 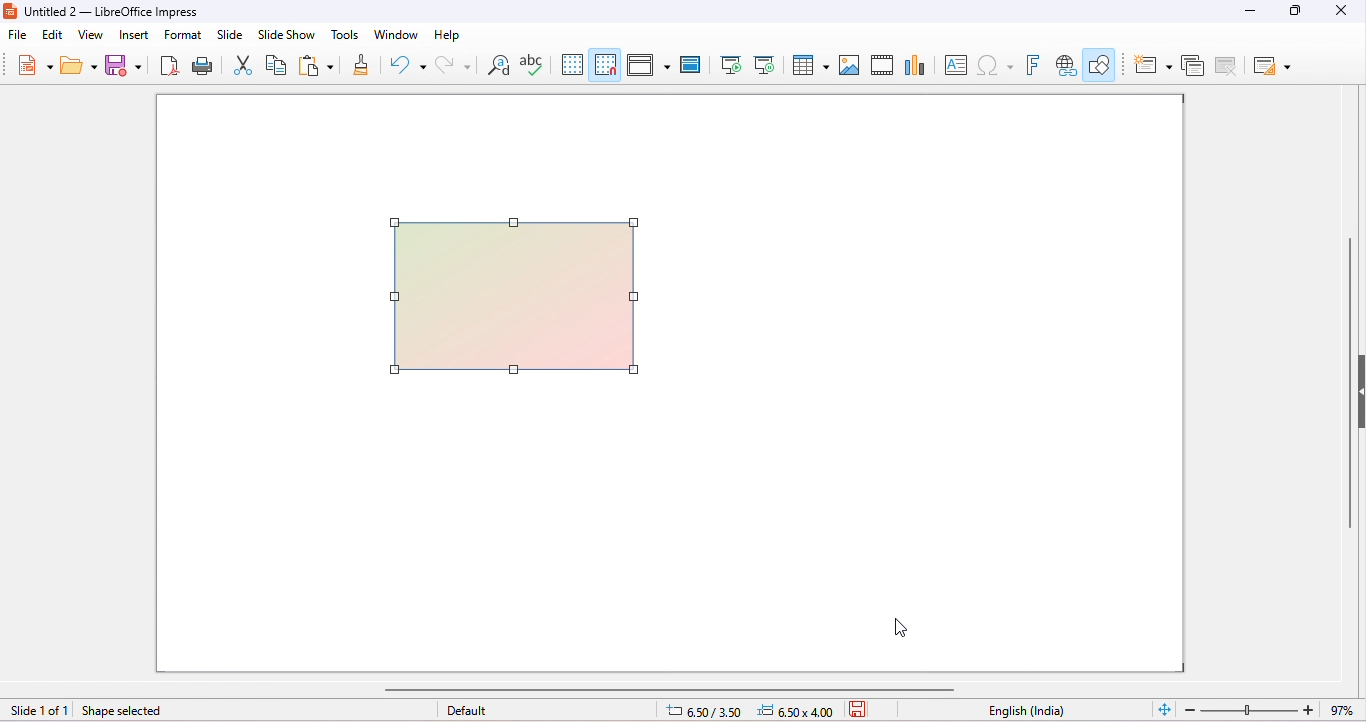 What do you see at coordinates (708, 712) in the screenshot?
I see `6.50/3.50 (cursor position)` at bounding box center [708, 712].